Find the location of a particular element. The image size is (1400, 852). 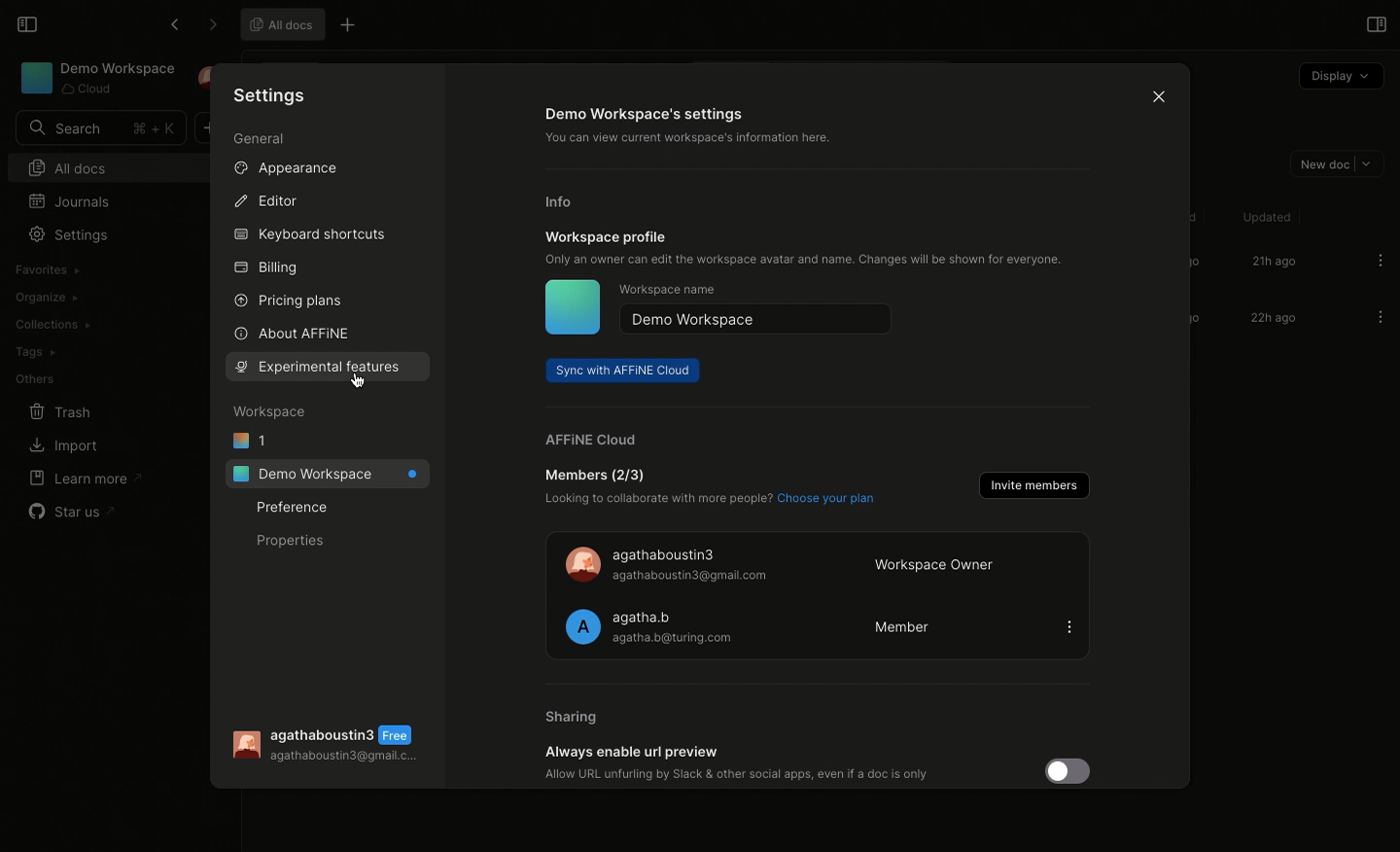

Settings is located at coordinates (67, 234).